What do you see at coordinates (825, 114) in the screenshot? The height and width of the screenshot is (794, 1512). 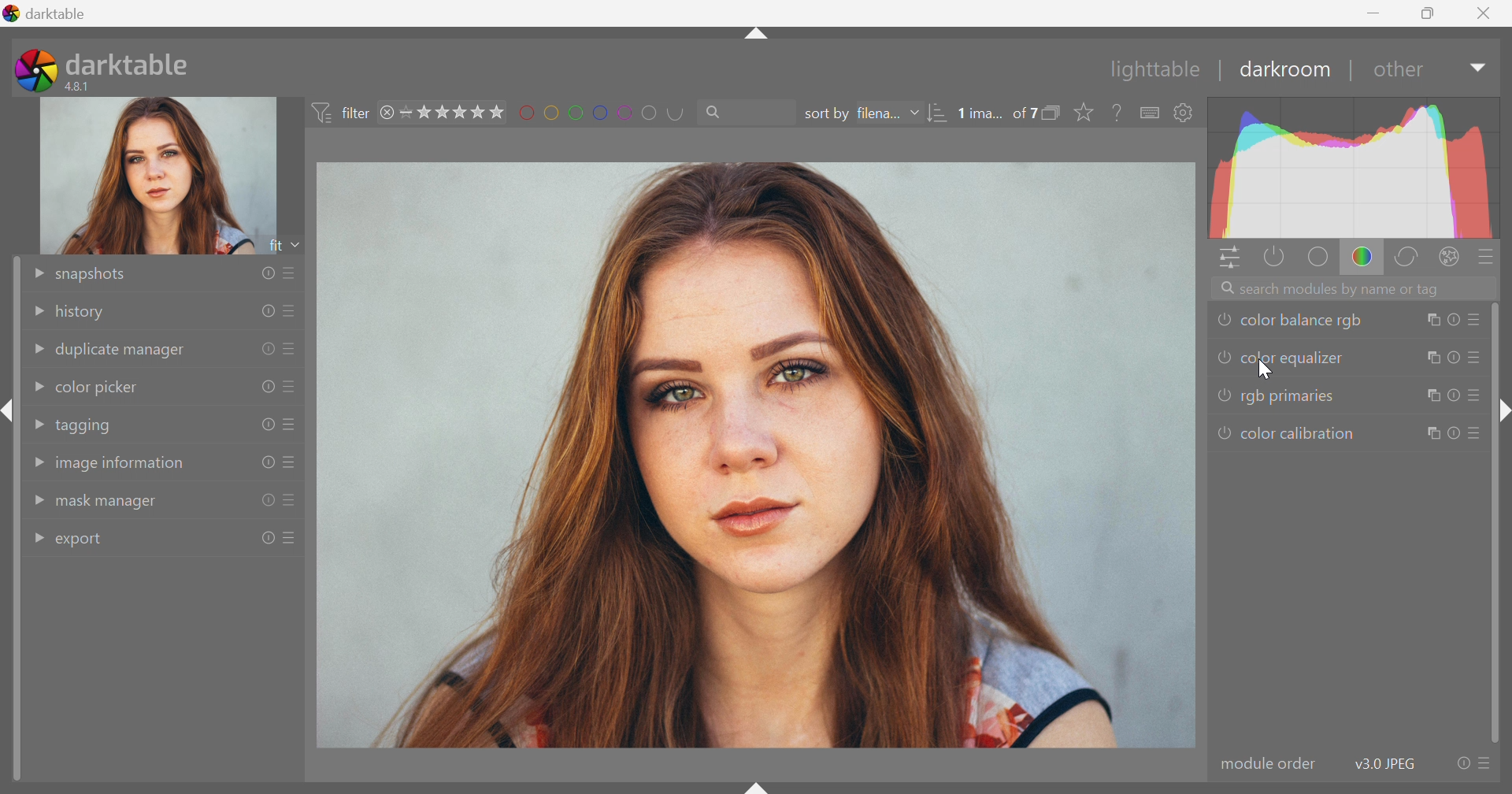 I see `sort by` at bounding box center [825, 114].